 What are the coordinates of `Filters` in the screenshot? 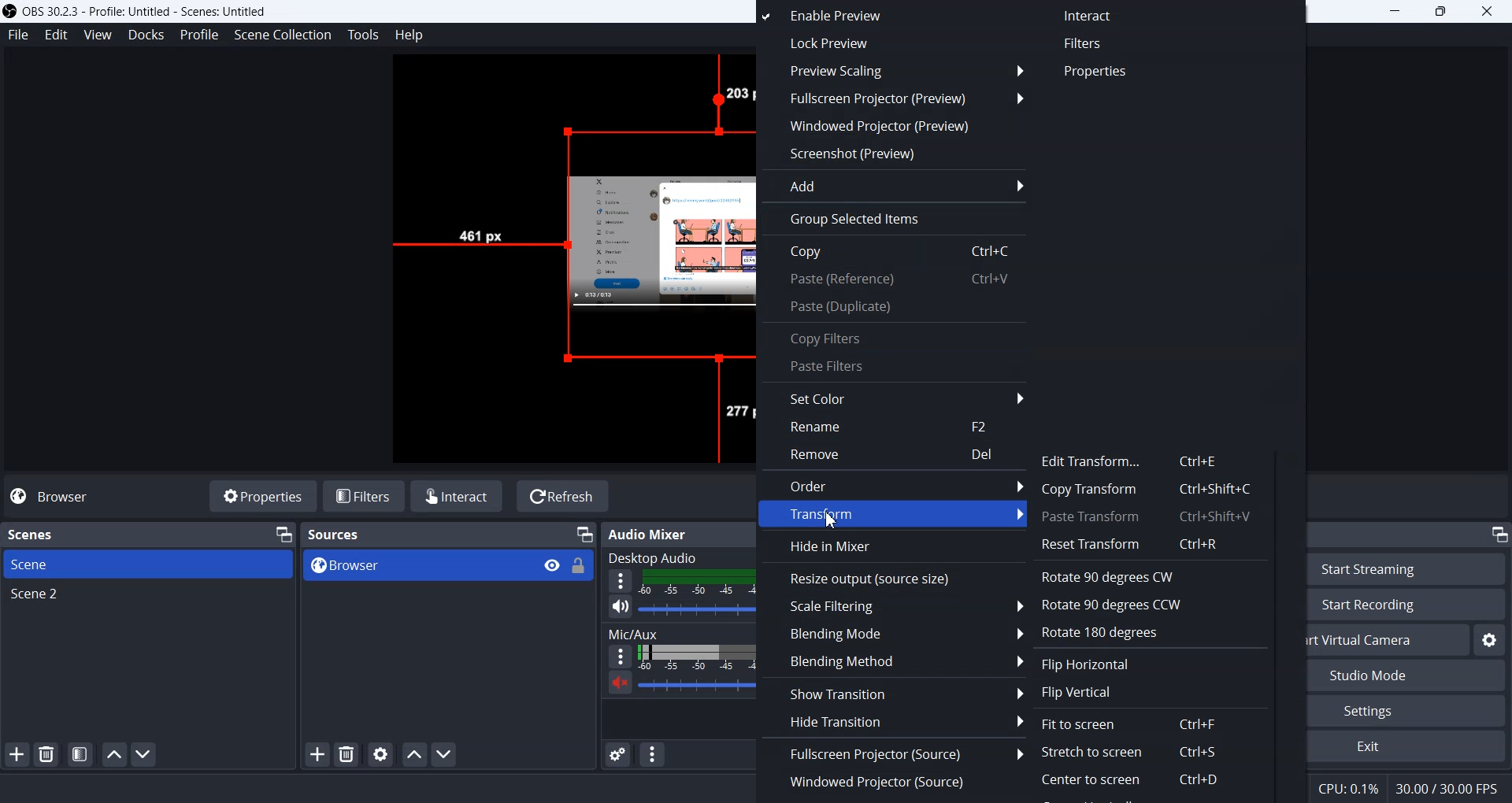 It's located at (1085, 43).